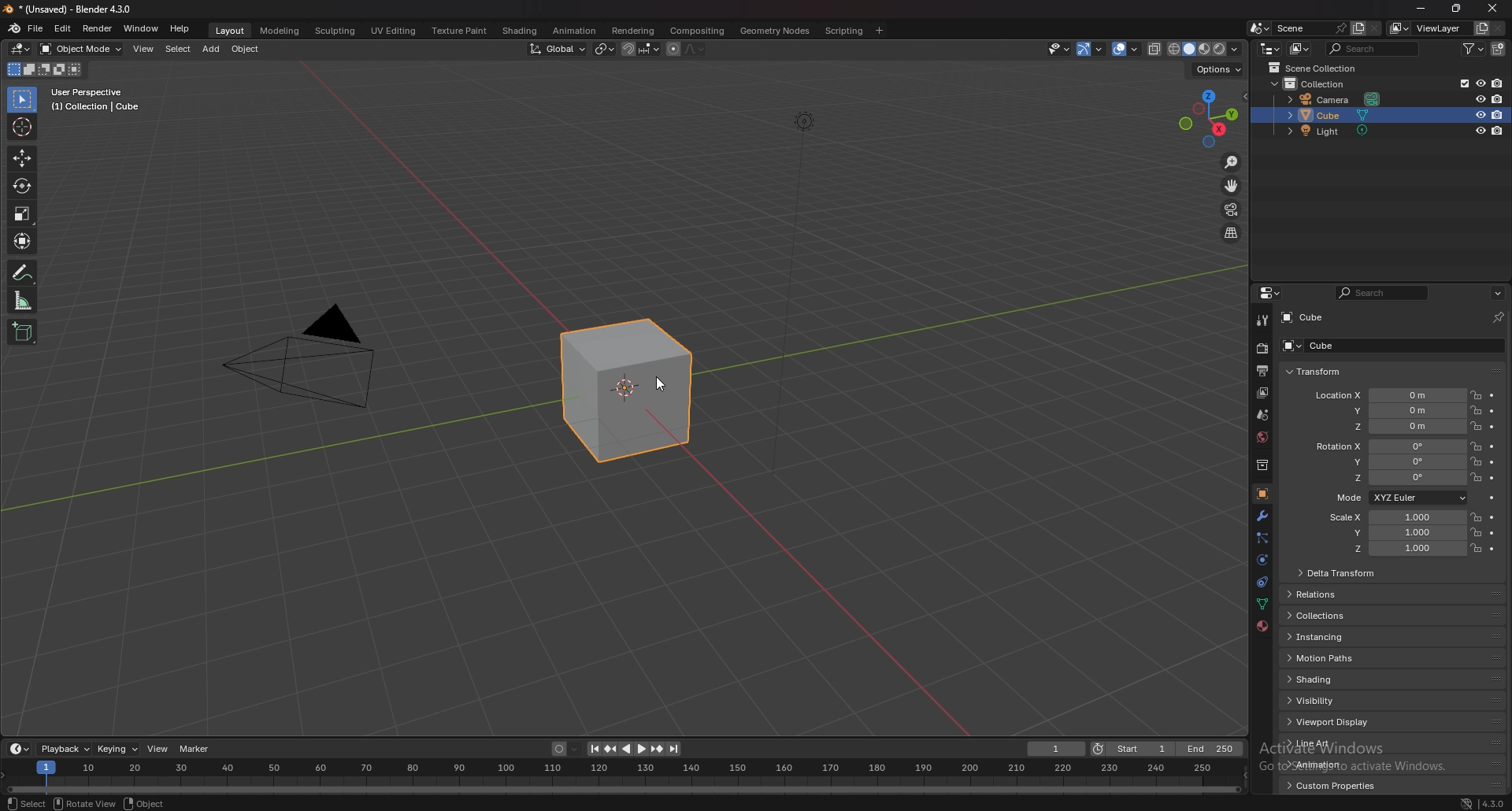  I want to click on browse scene, so click(1260, 28).